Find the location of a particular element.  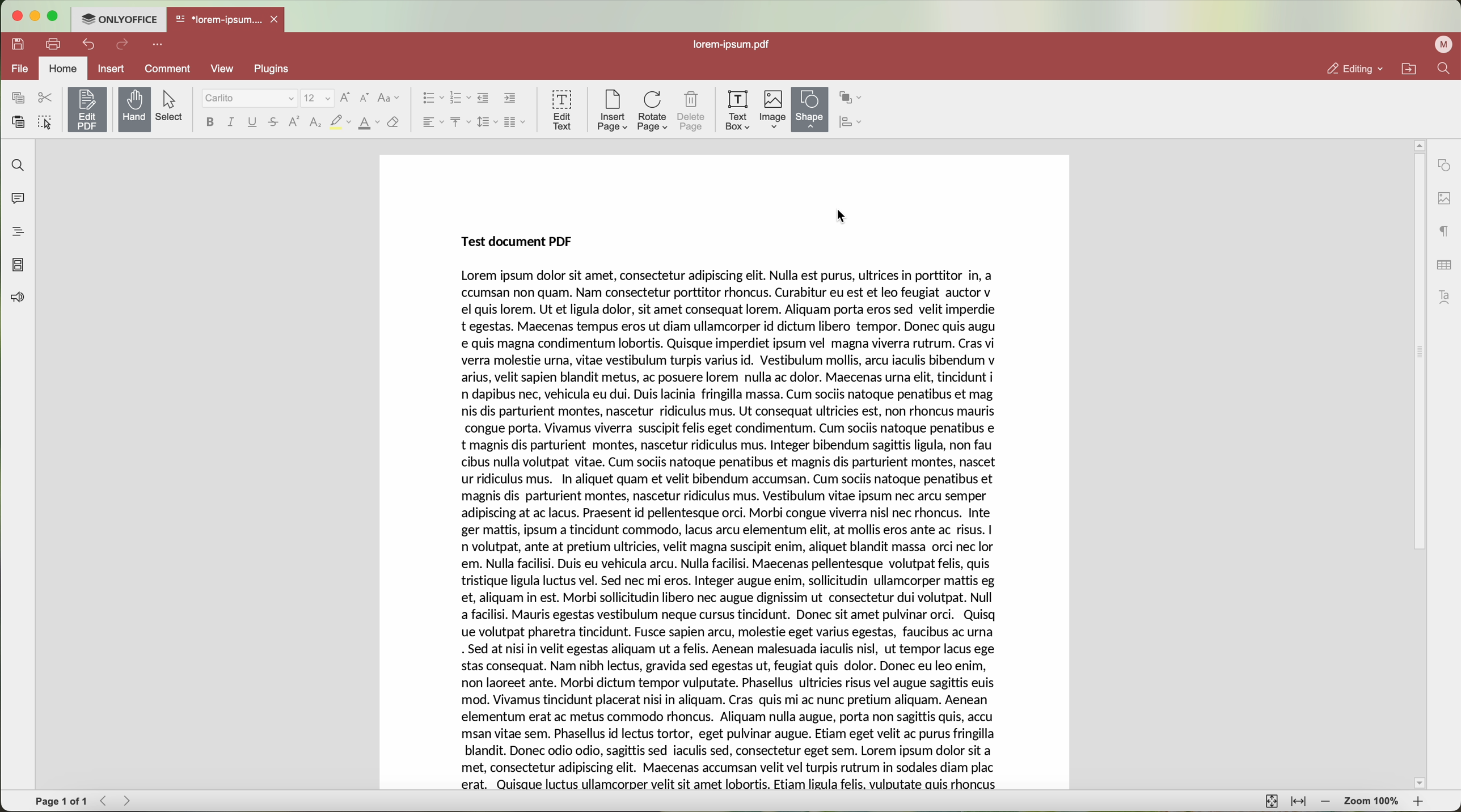

hand is located at coordinates (134, 109).